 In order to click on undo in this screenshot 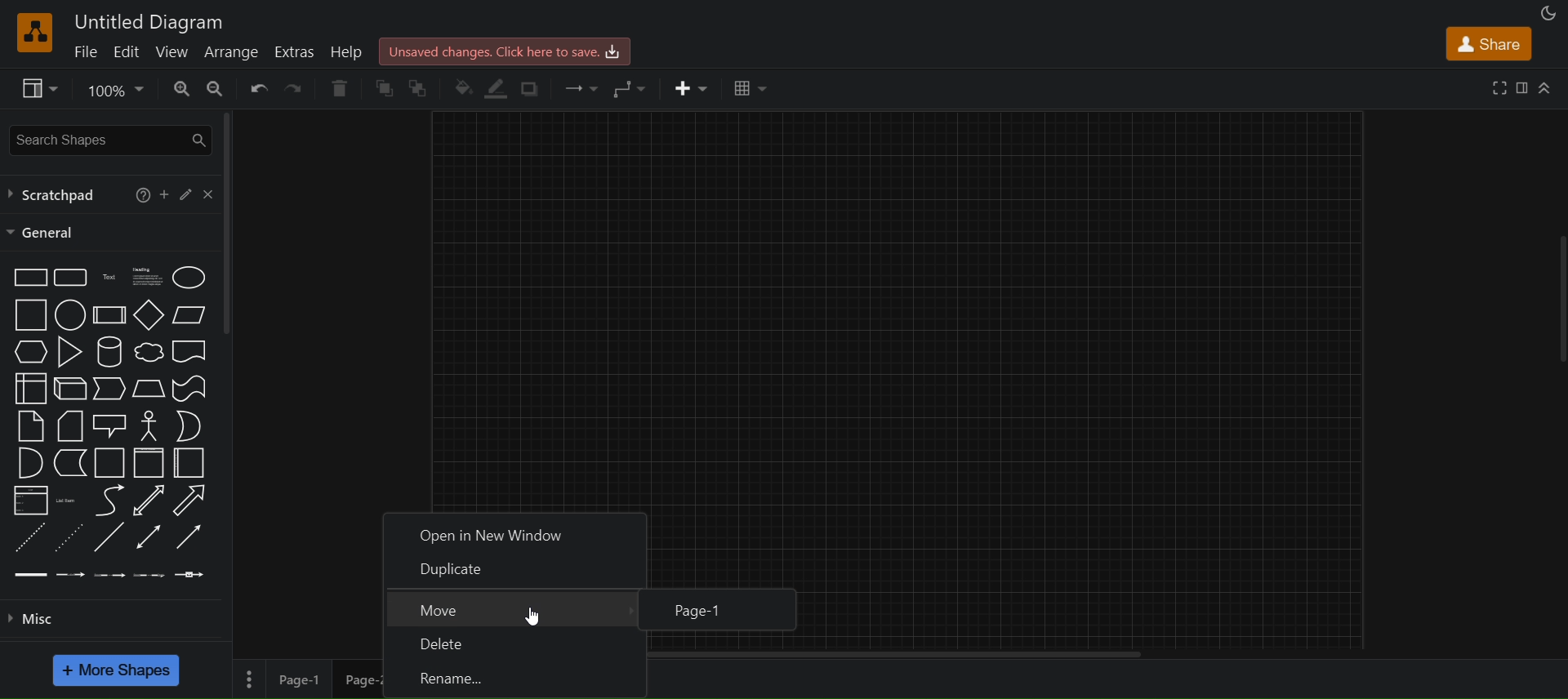, I will do `click(255, 88)`.